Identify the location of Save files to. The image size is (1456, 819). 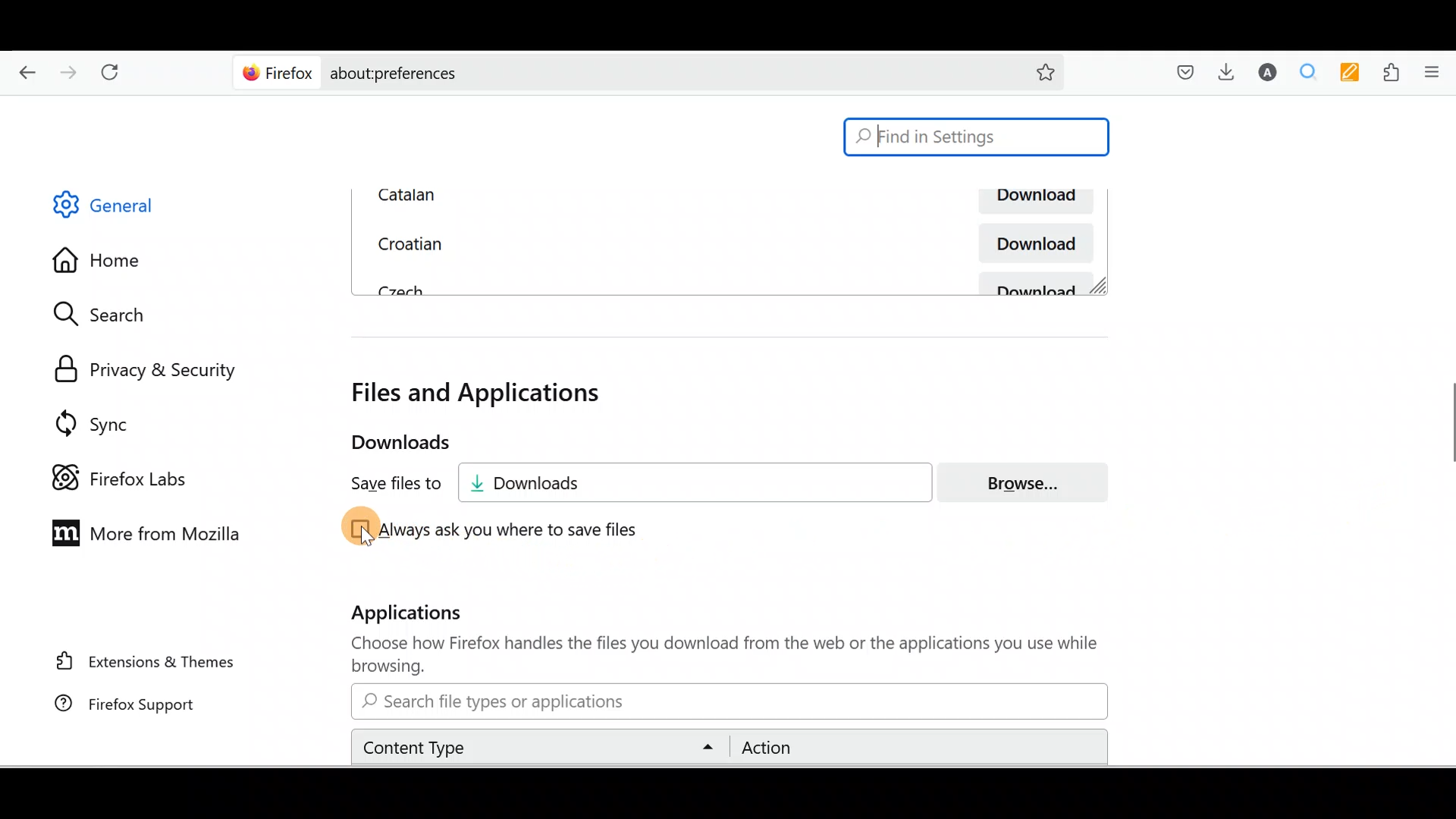
(384, 485).